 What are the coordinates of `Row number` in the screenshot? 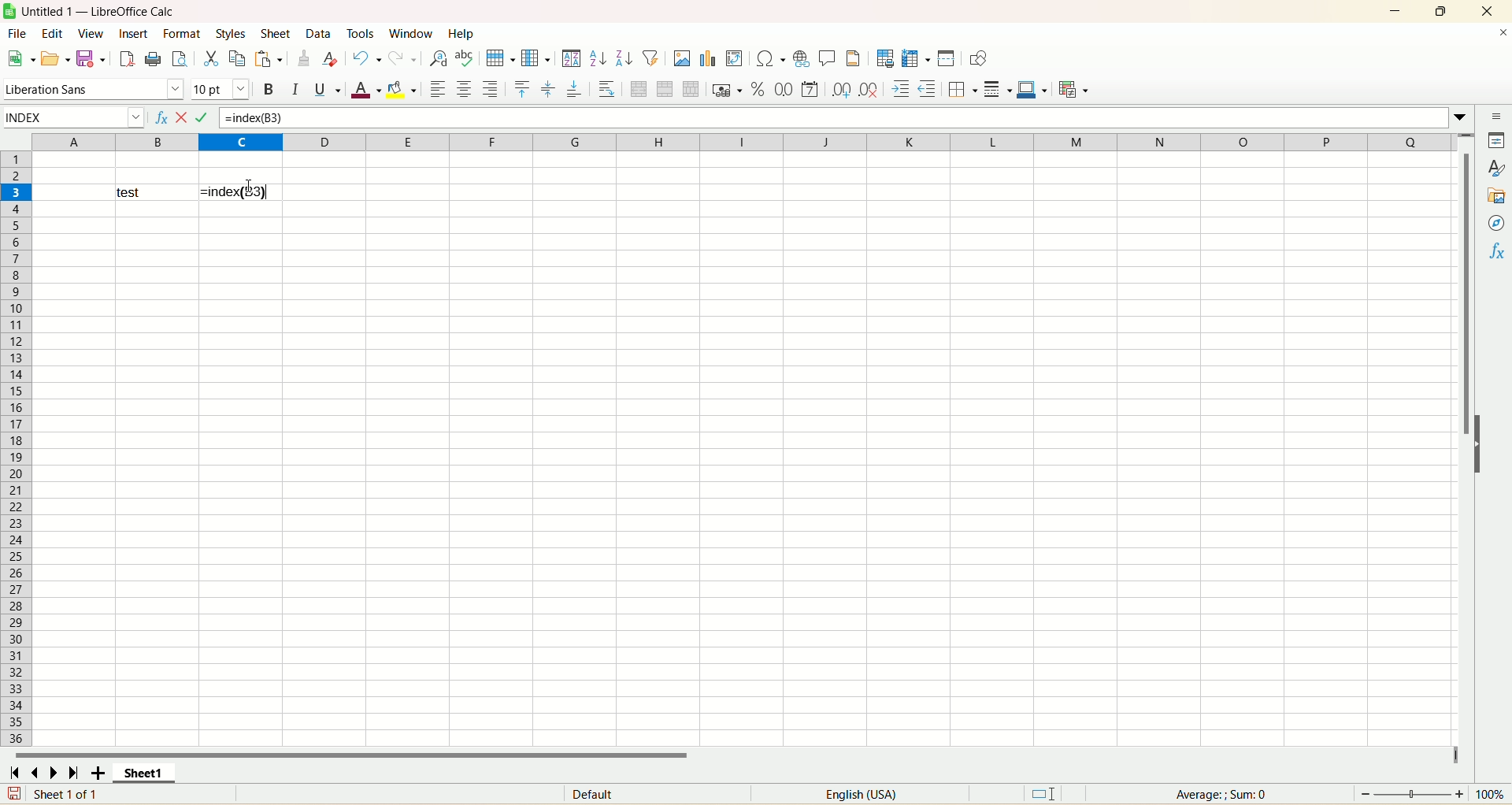 It's located at (17, 167).